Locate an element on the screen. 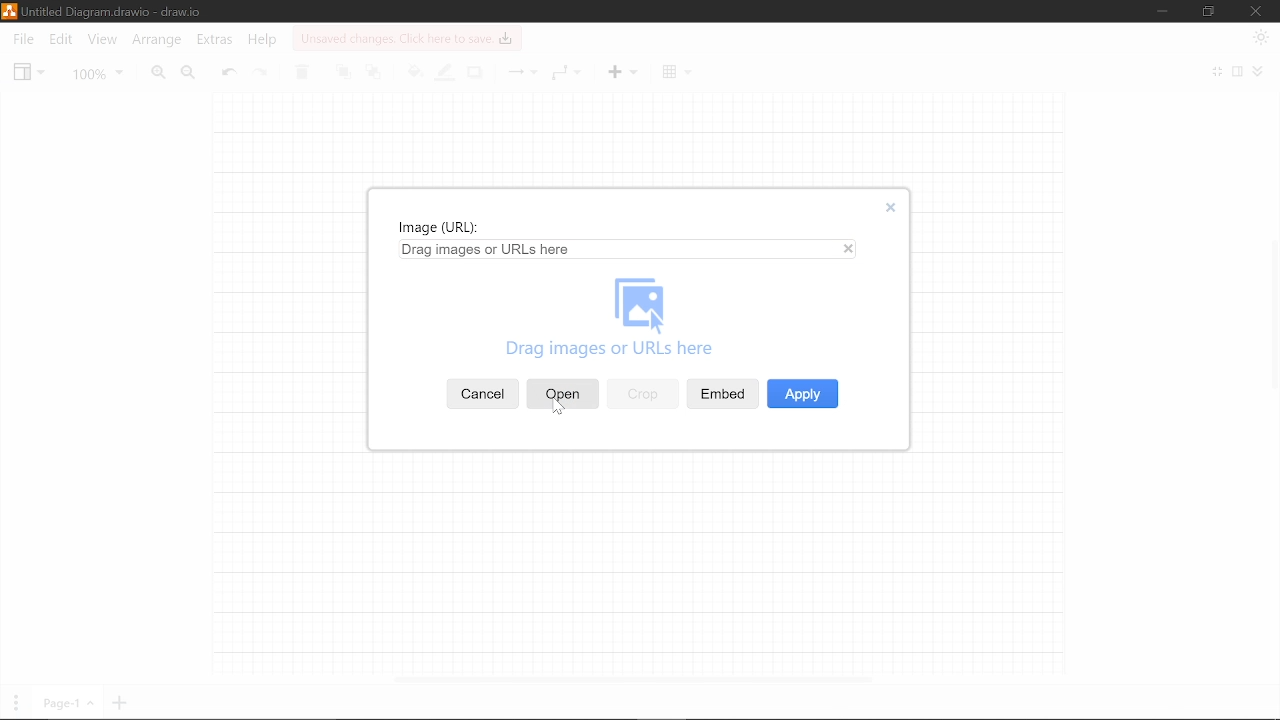 Image resolution: width=1280 pixels, height=720 pixels. Draw images or URL here is located at coordinates (641, 321).